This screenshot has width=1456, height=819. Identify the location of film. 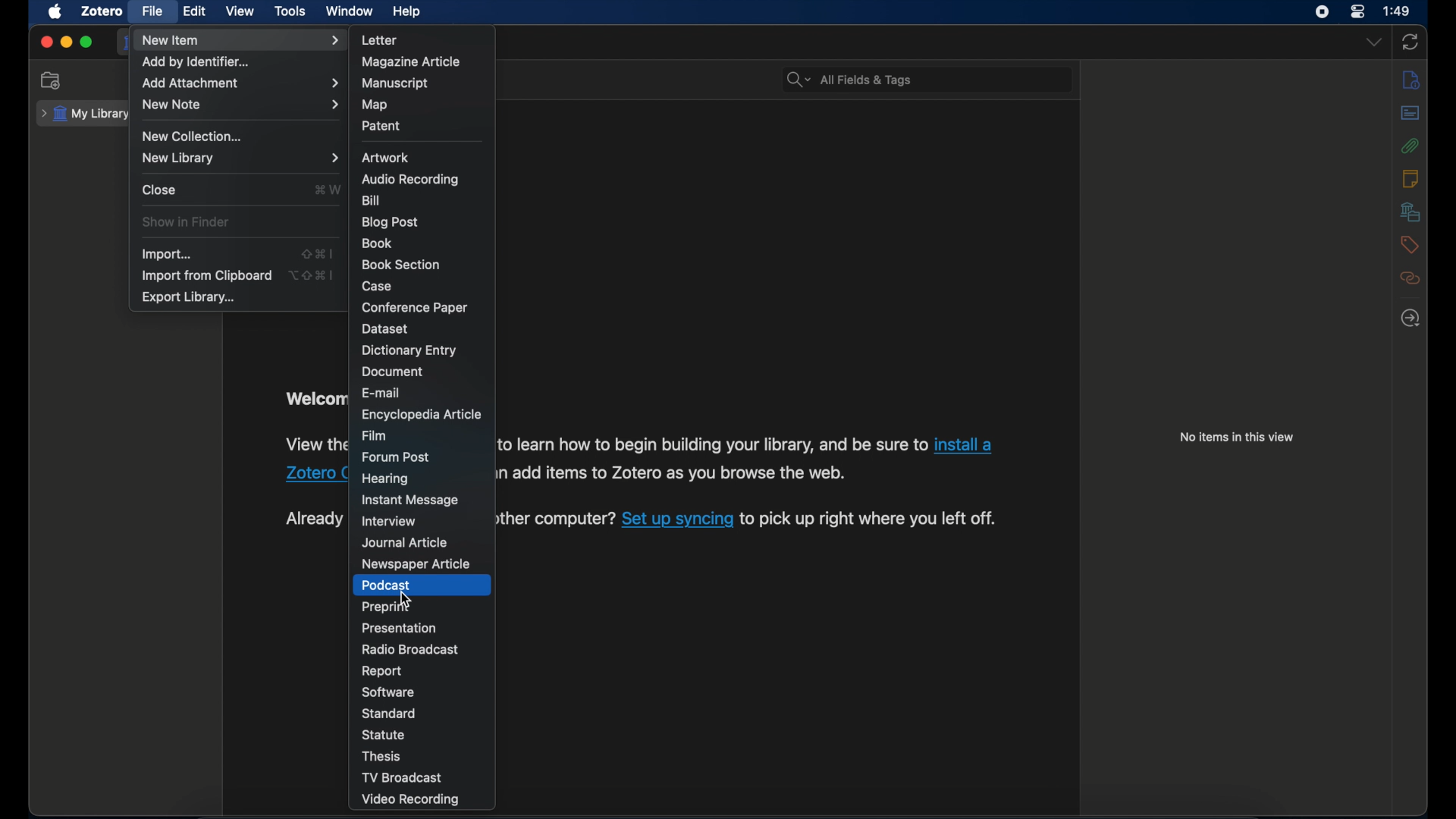
(375, 435).